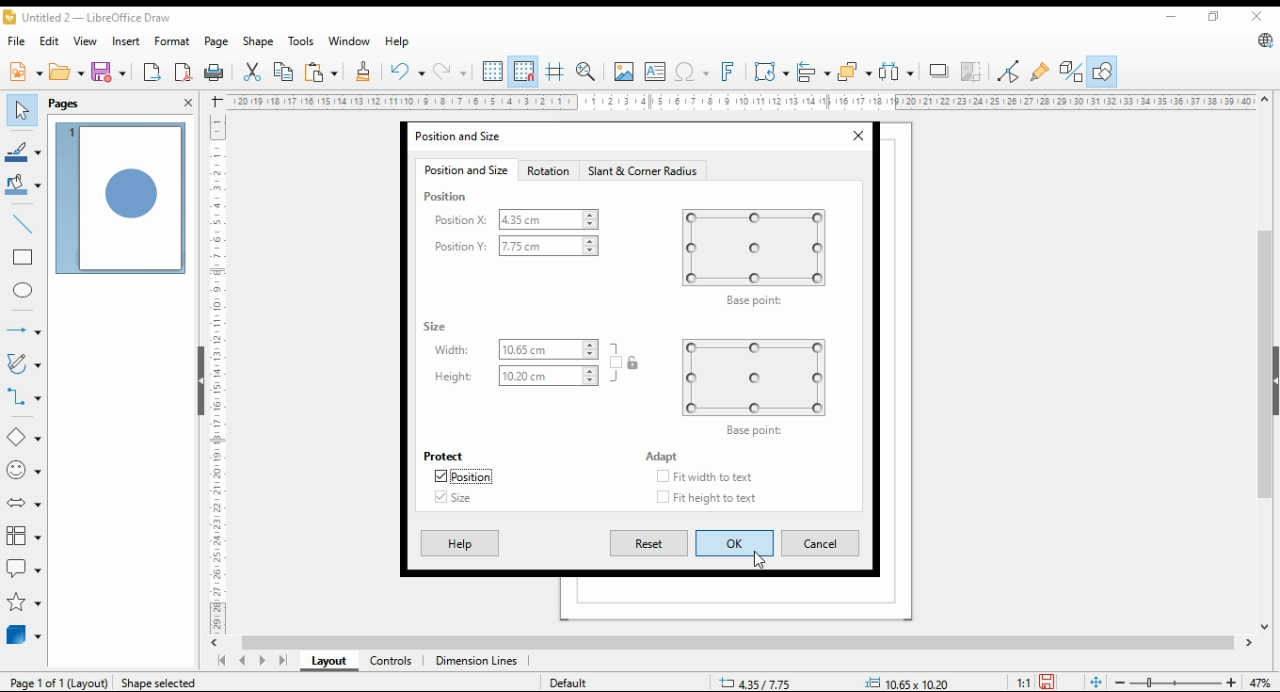  Describe the element at coordinates (218, 369) in the screenshot. I see `Ruler` at that location.